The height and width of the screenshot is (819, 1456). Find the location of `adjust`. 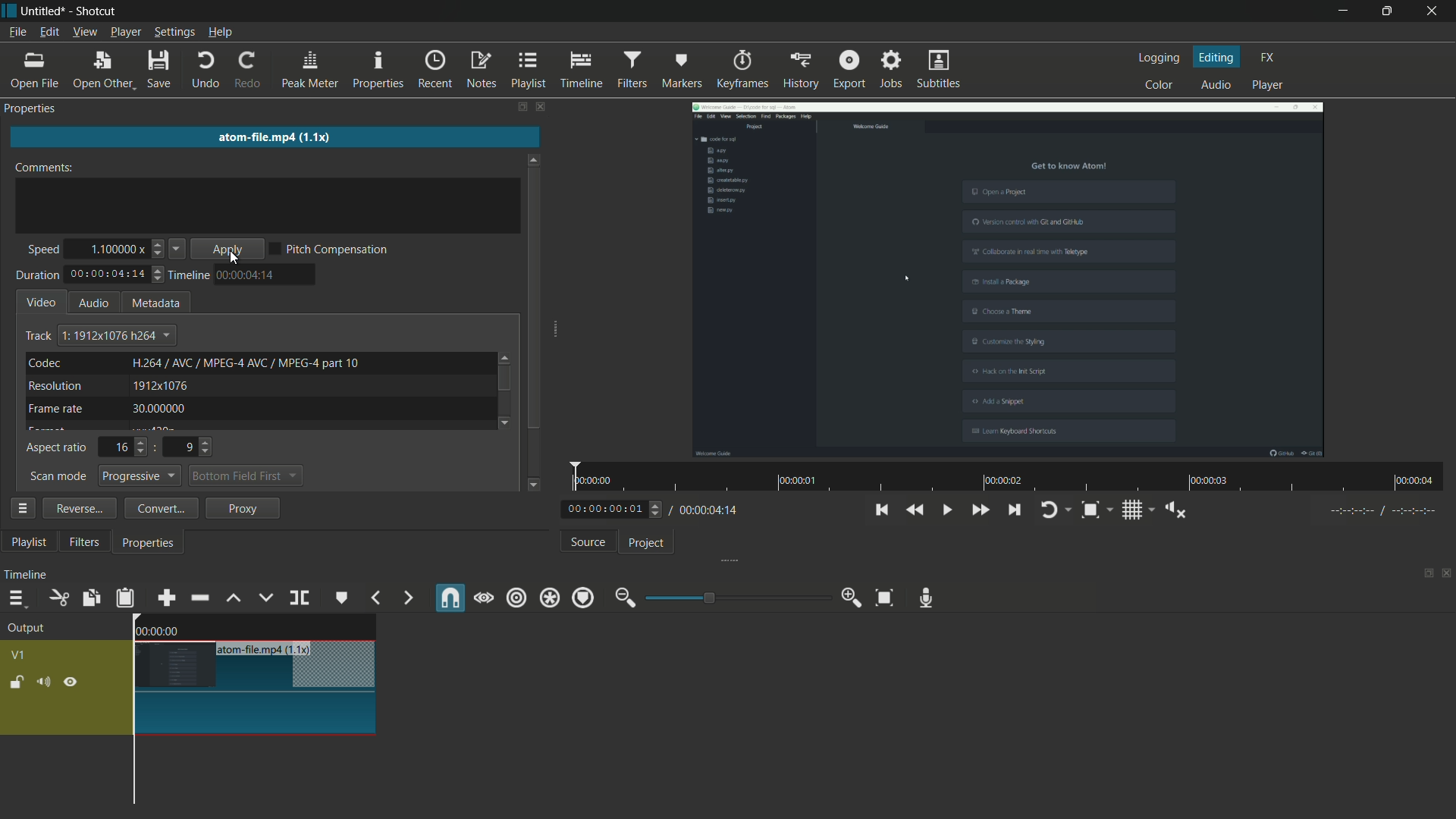

adjust is located at coordinates (159, 278).